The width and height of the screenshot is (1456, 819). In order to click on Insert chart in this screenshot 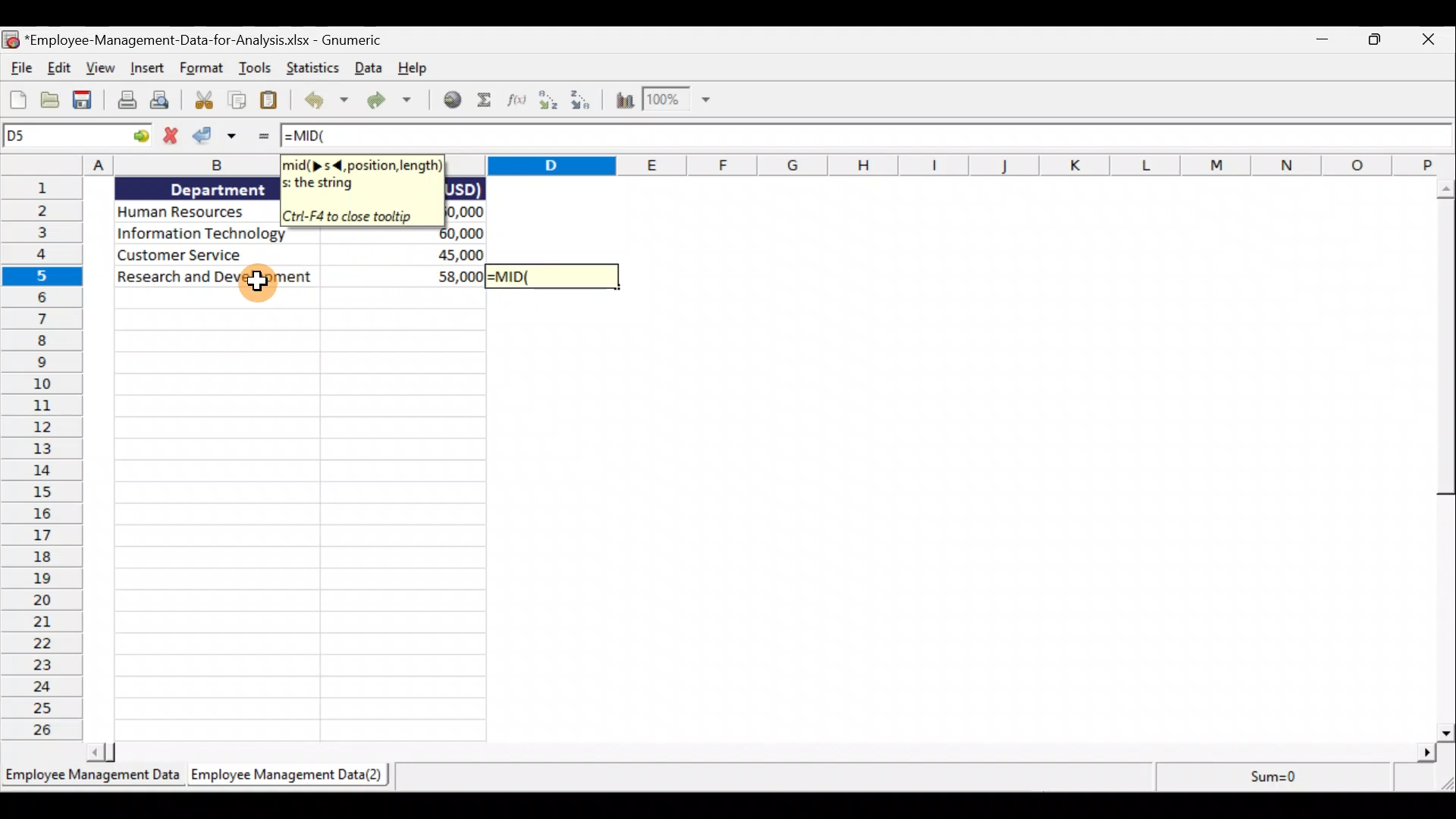, I will do `click(626, 102)`.